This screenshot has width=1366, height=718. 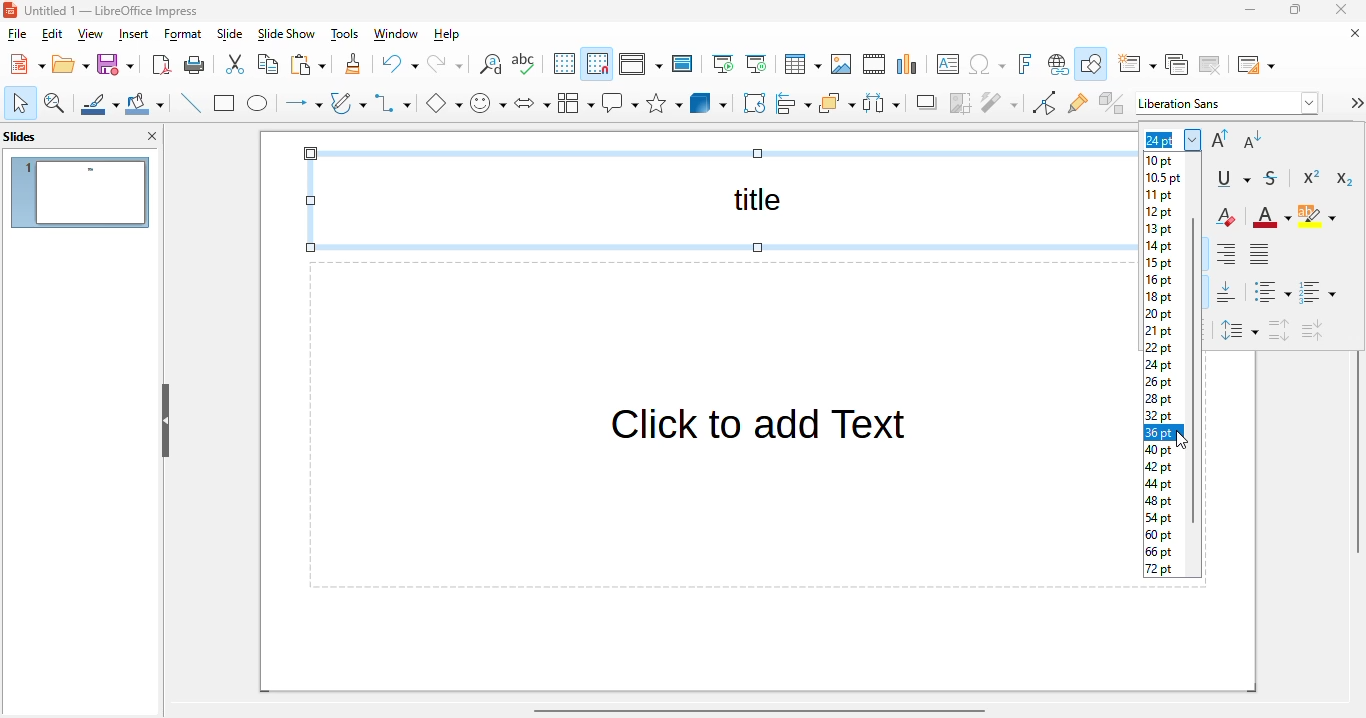 I want to click on lines and arrows, so click(x=302, y=104).